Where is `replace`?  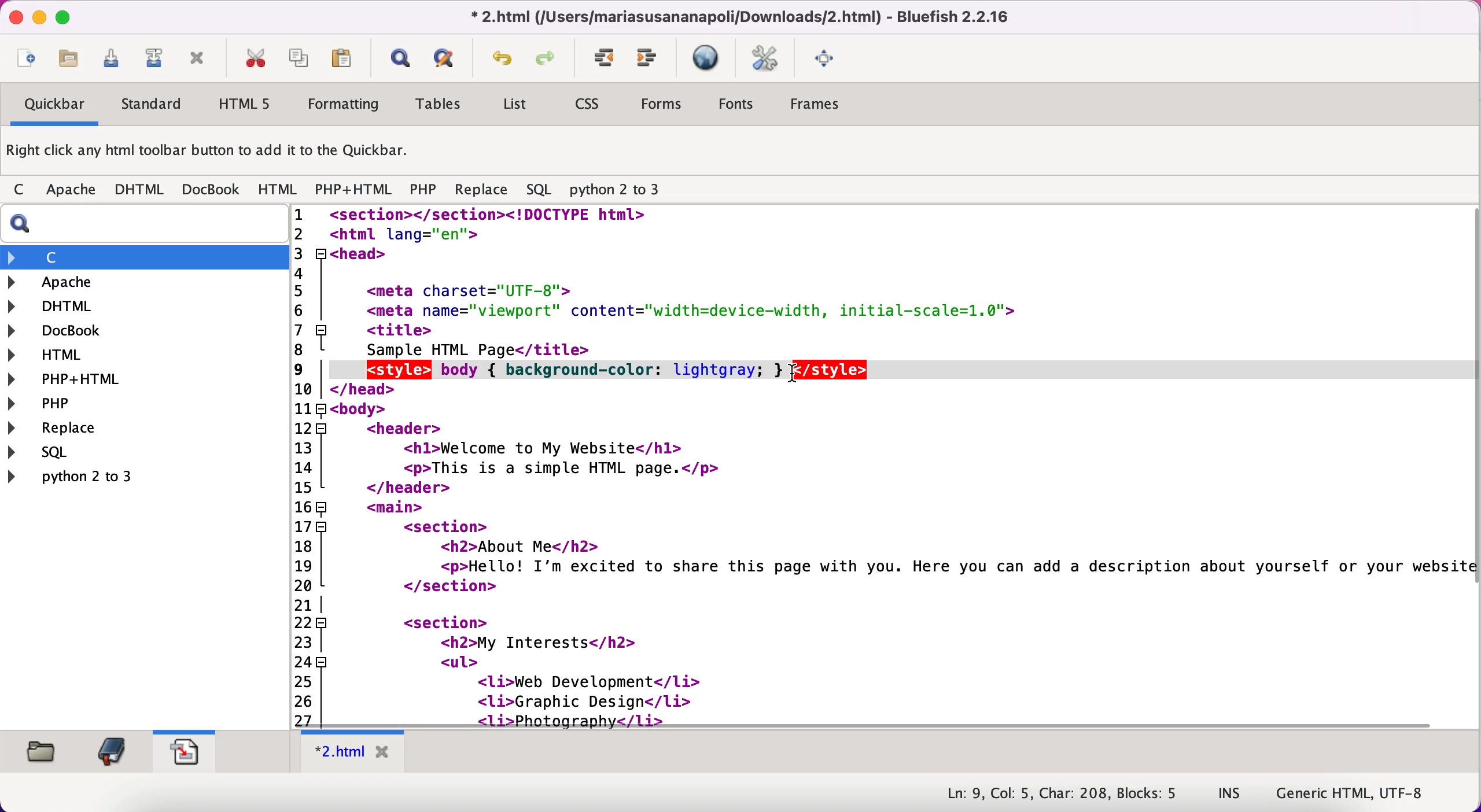
replace is located at coordinates (481, 193).